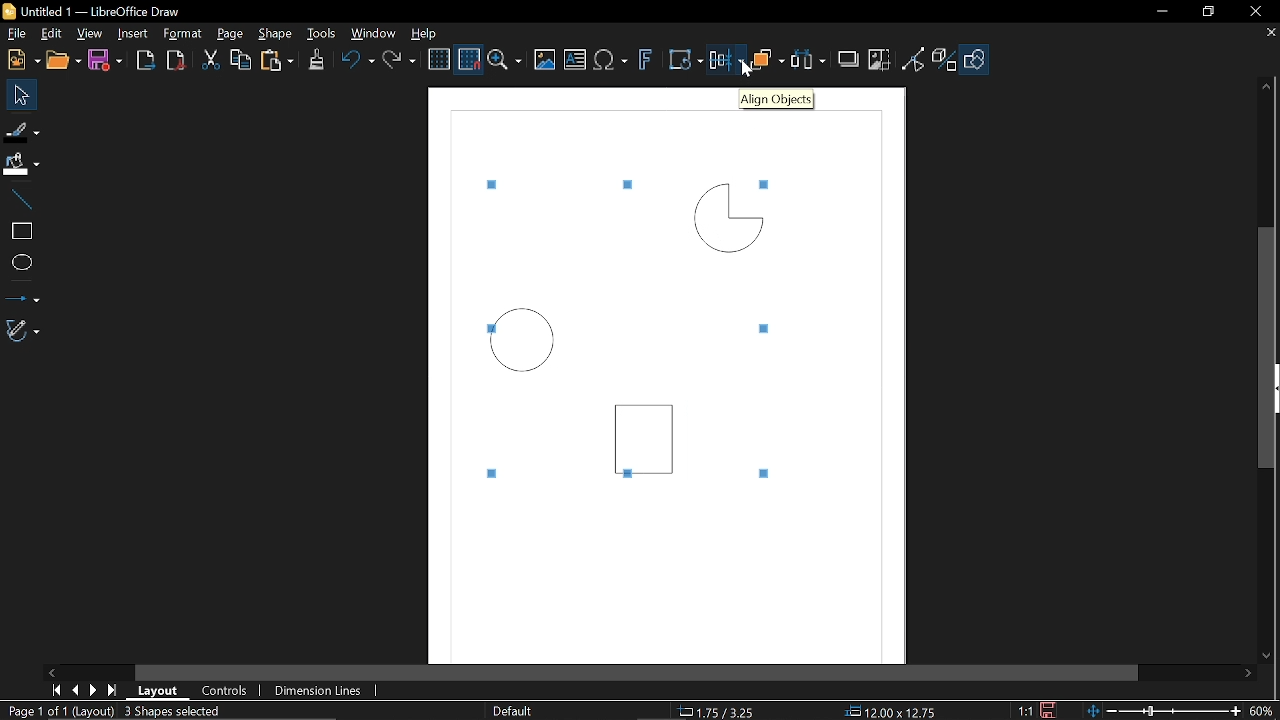 This screenshot has height=720, width=1280. I want to click on Export pdf, so click(174, 61).